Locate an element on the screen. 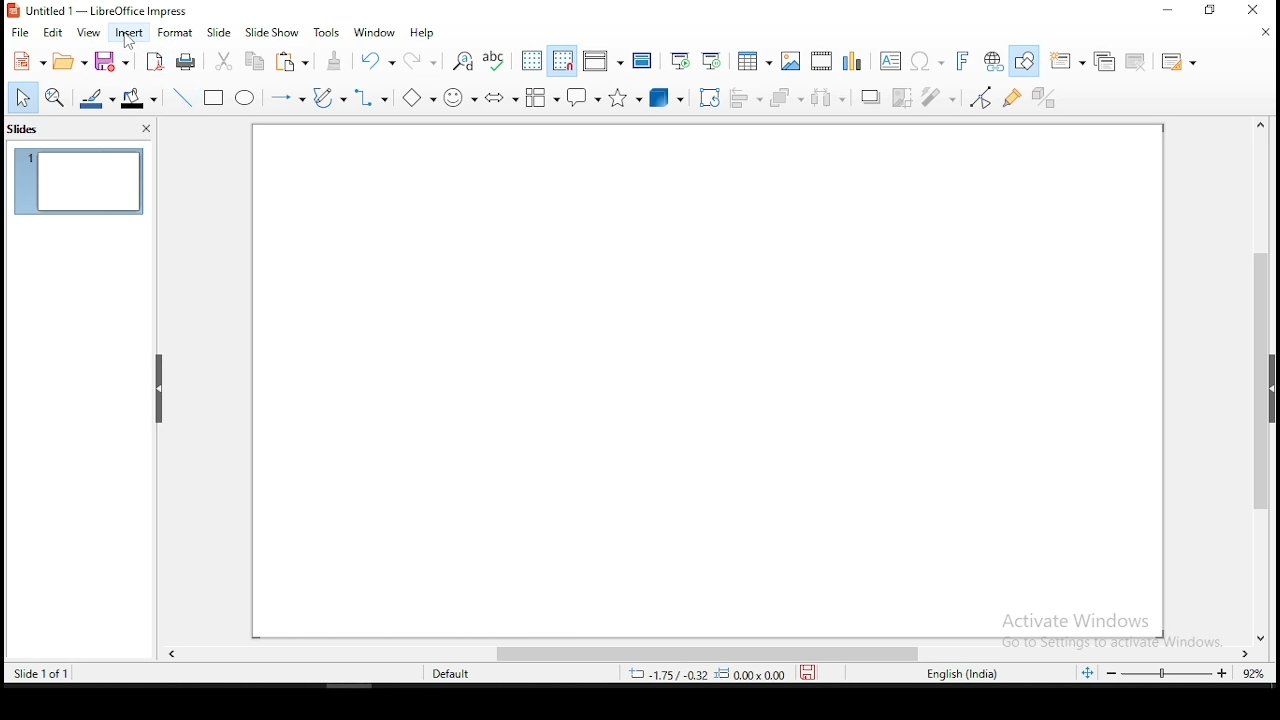  scroll down is located at coordinates (1262, 640).